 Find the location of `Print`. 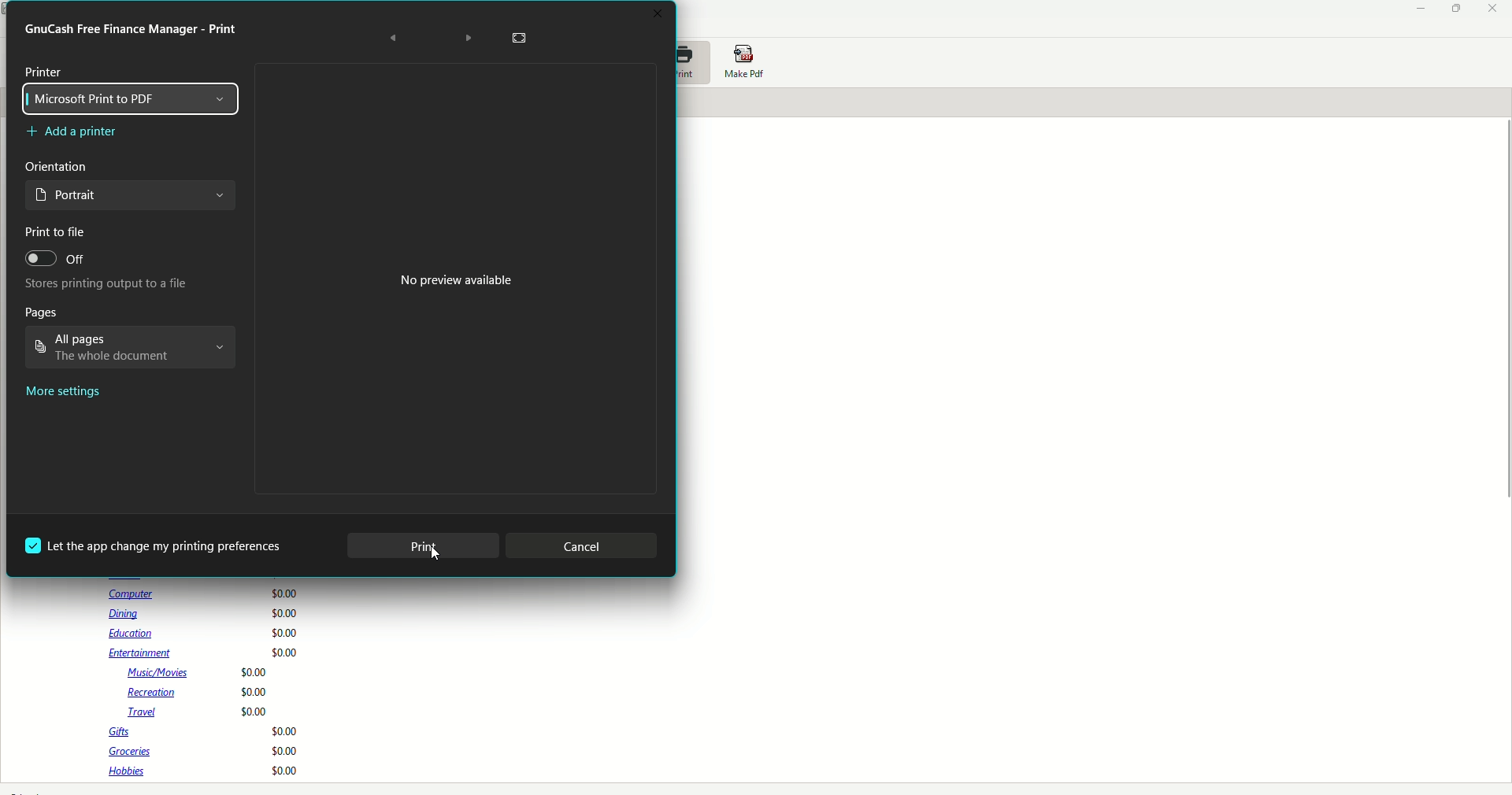

Print is located at coordinates (693, 62).